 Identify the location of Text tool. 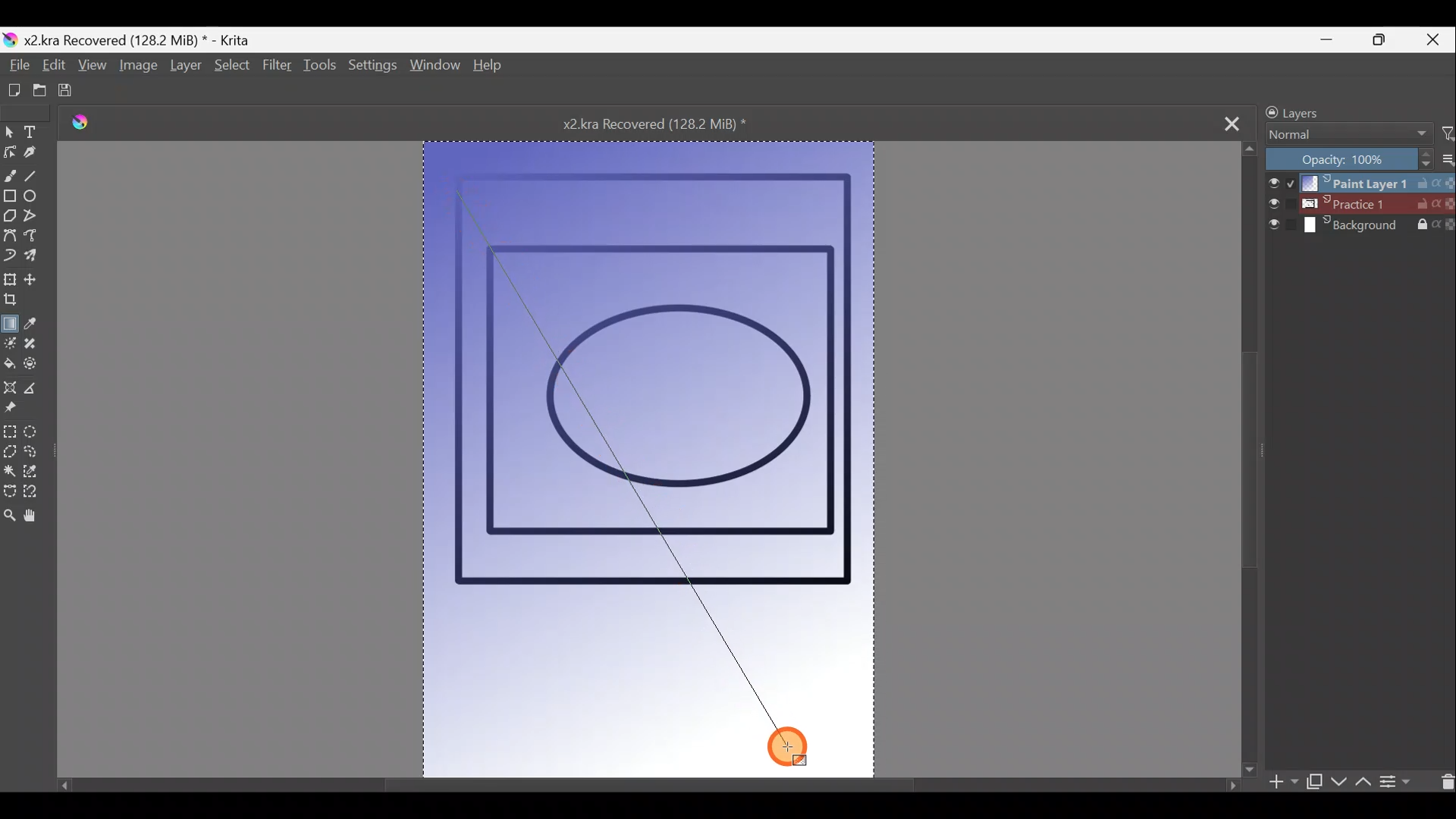
(35, 132).